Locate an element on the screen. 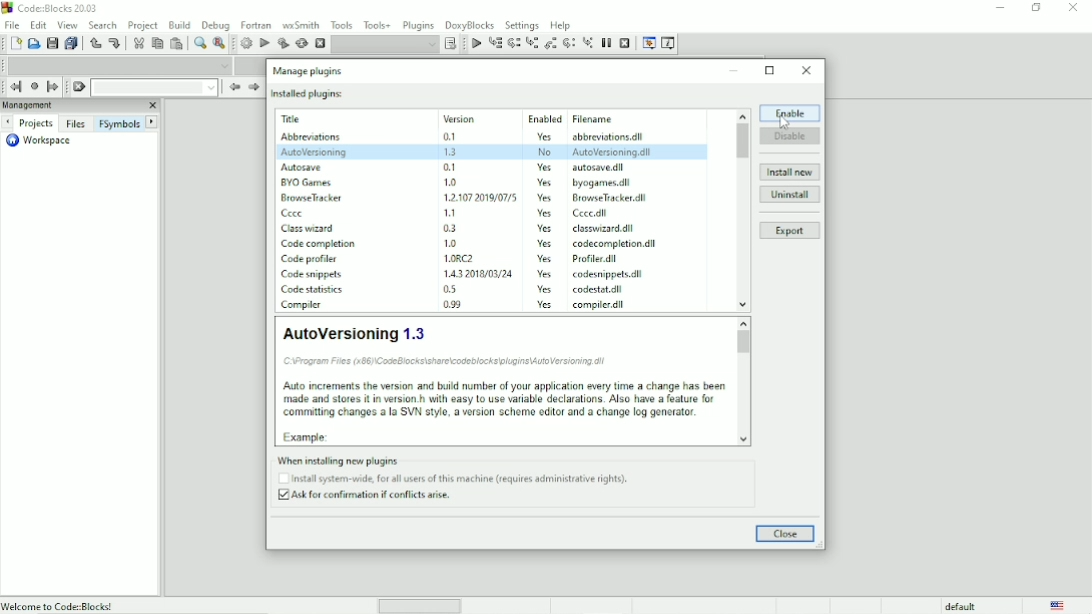 Image resolution: width=1092 pixels, height=614 pixels. version  is located at coordinates (455, 137).